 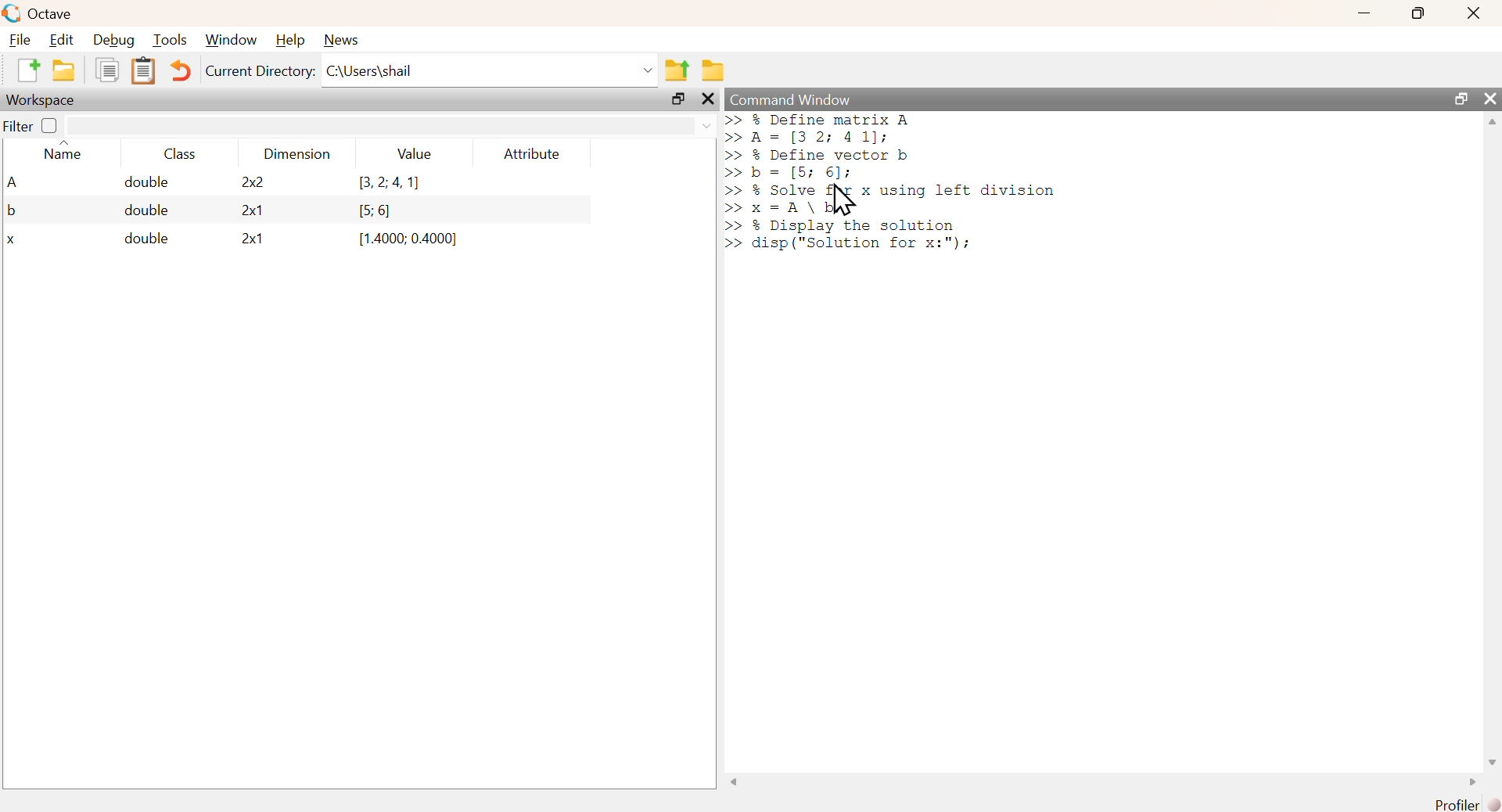 I want to click on profiler, so click(x=1463, y=804).